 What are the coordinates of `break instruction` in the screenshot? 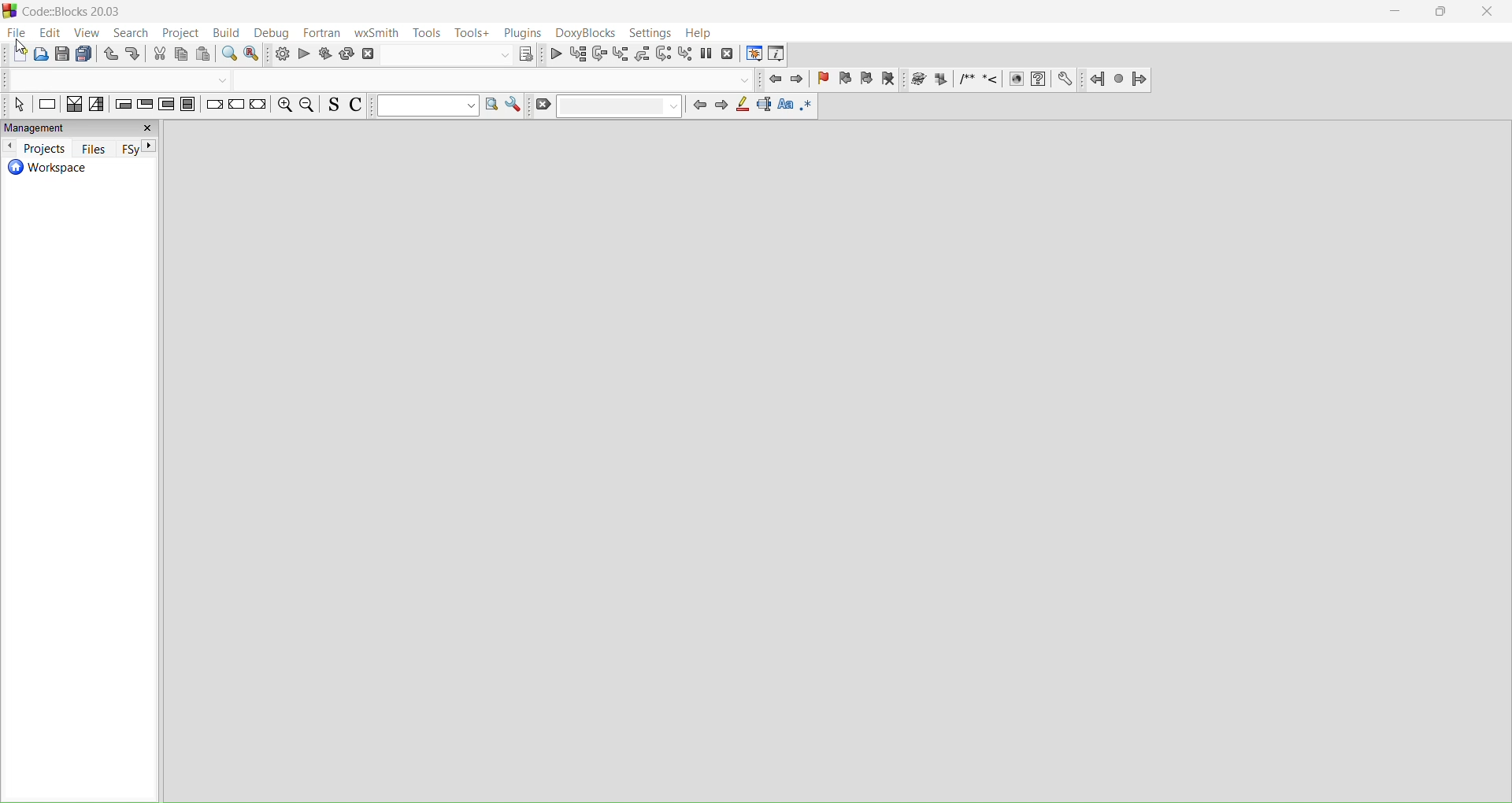 It's located at (213, 109).